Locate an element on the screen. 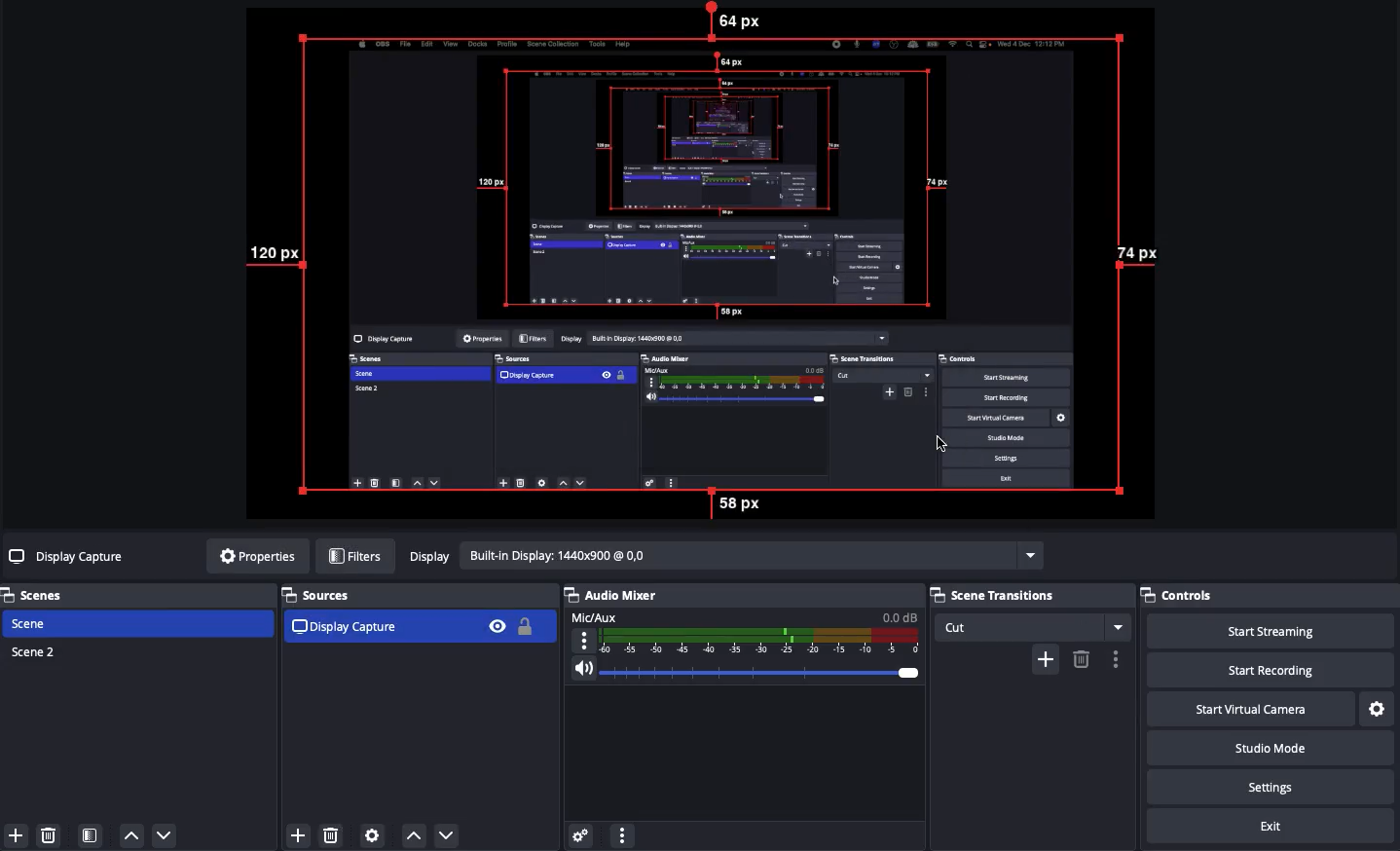 This screenshot has height=851, width=1400. Add is located at coordinates (14, 833).